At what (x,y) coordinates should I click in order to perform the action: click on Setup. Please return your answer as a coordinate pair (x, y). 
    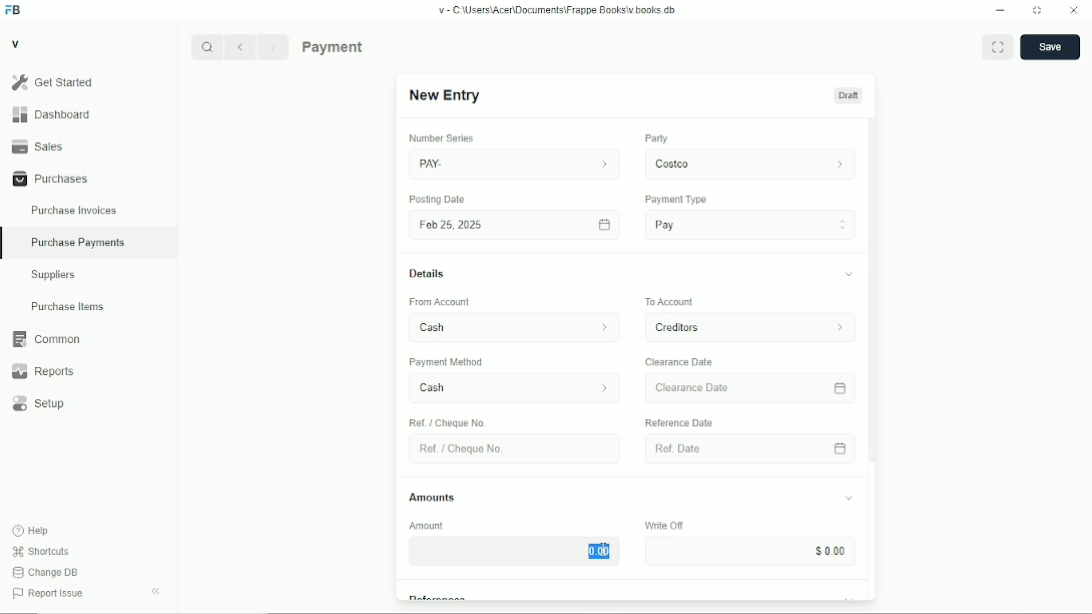
    Looking at the image, I should click on (89, 403).